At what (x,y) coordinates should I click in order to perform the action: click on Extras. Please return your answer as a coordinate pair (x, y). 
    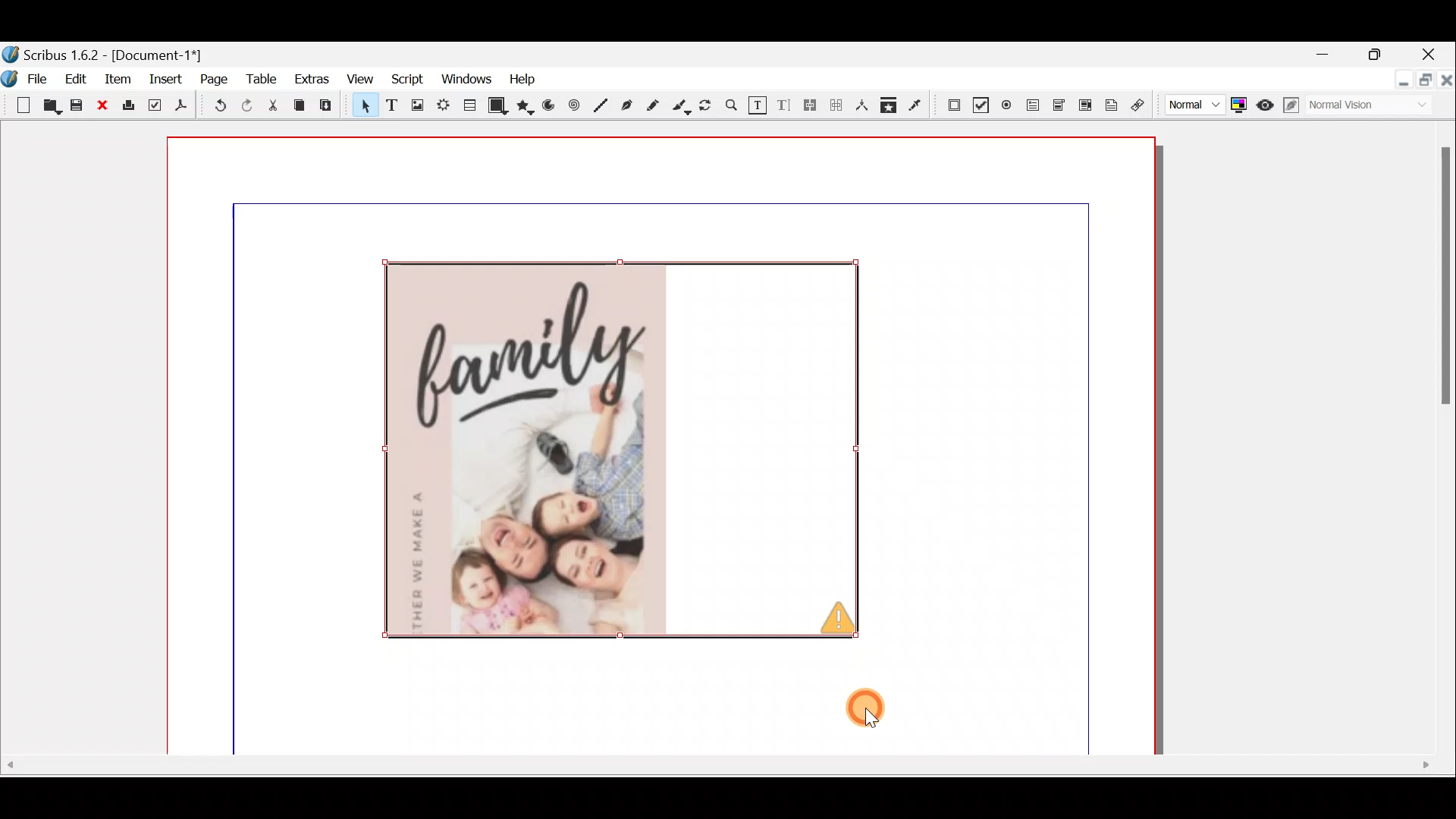
    Looking at the image, I should click on (311, 78).